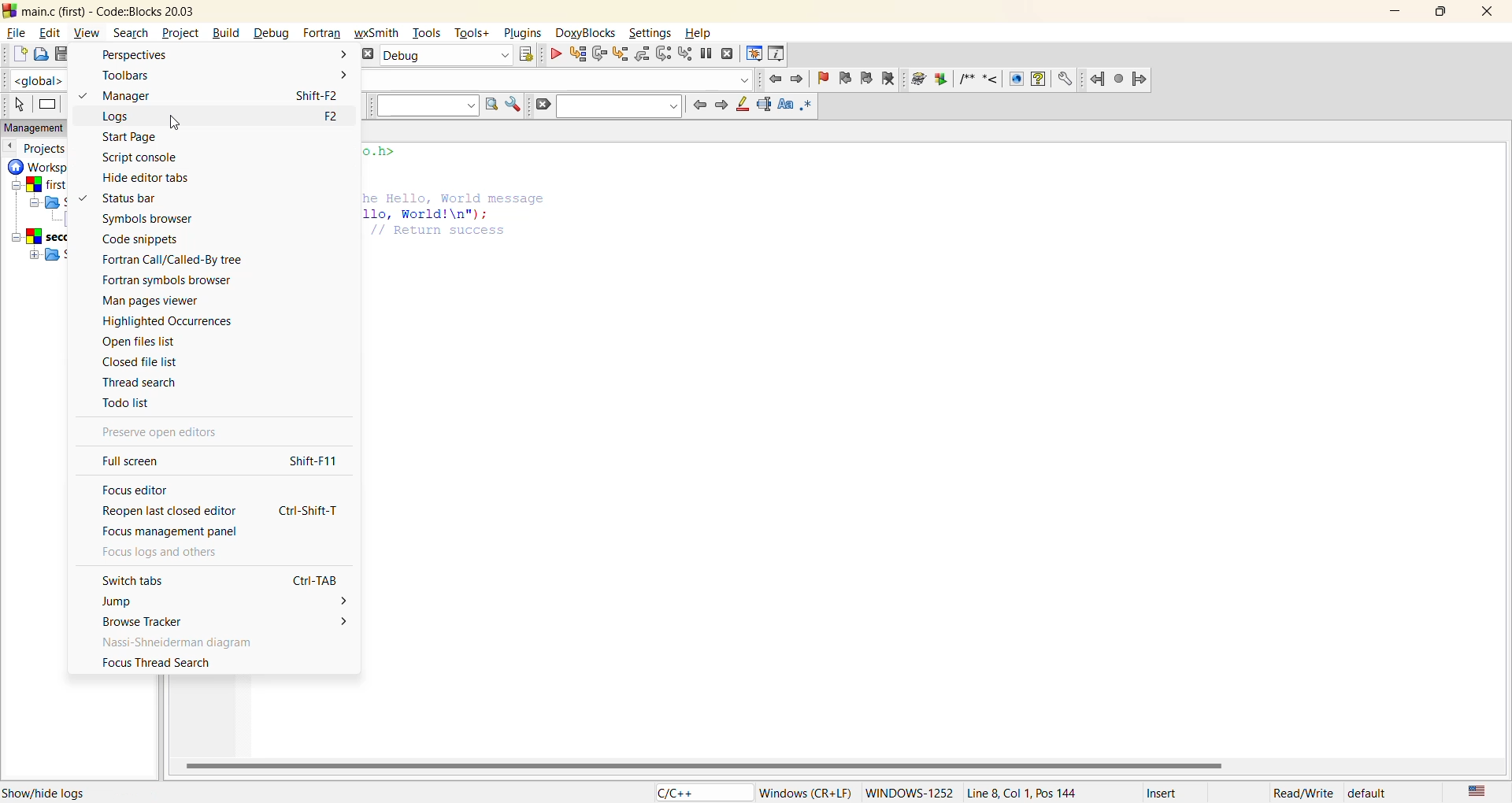 Image resolution: width=1512 pixels, height=803 pixels. I want to click on fortran call, so click(176, 259).